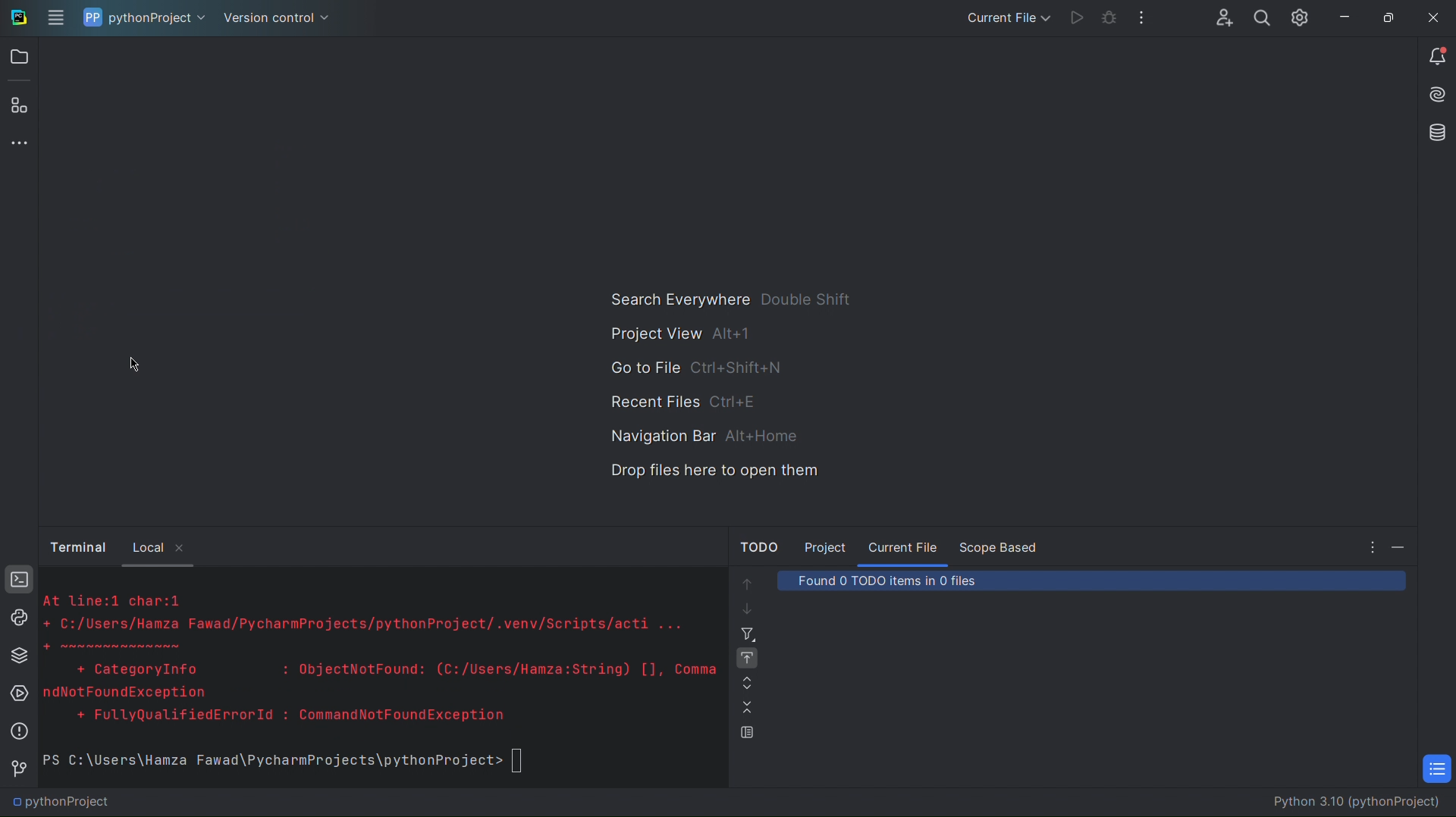  I want to click on Current File, so click(905, 541).